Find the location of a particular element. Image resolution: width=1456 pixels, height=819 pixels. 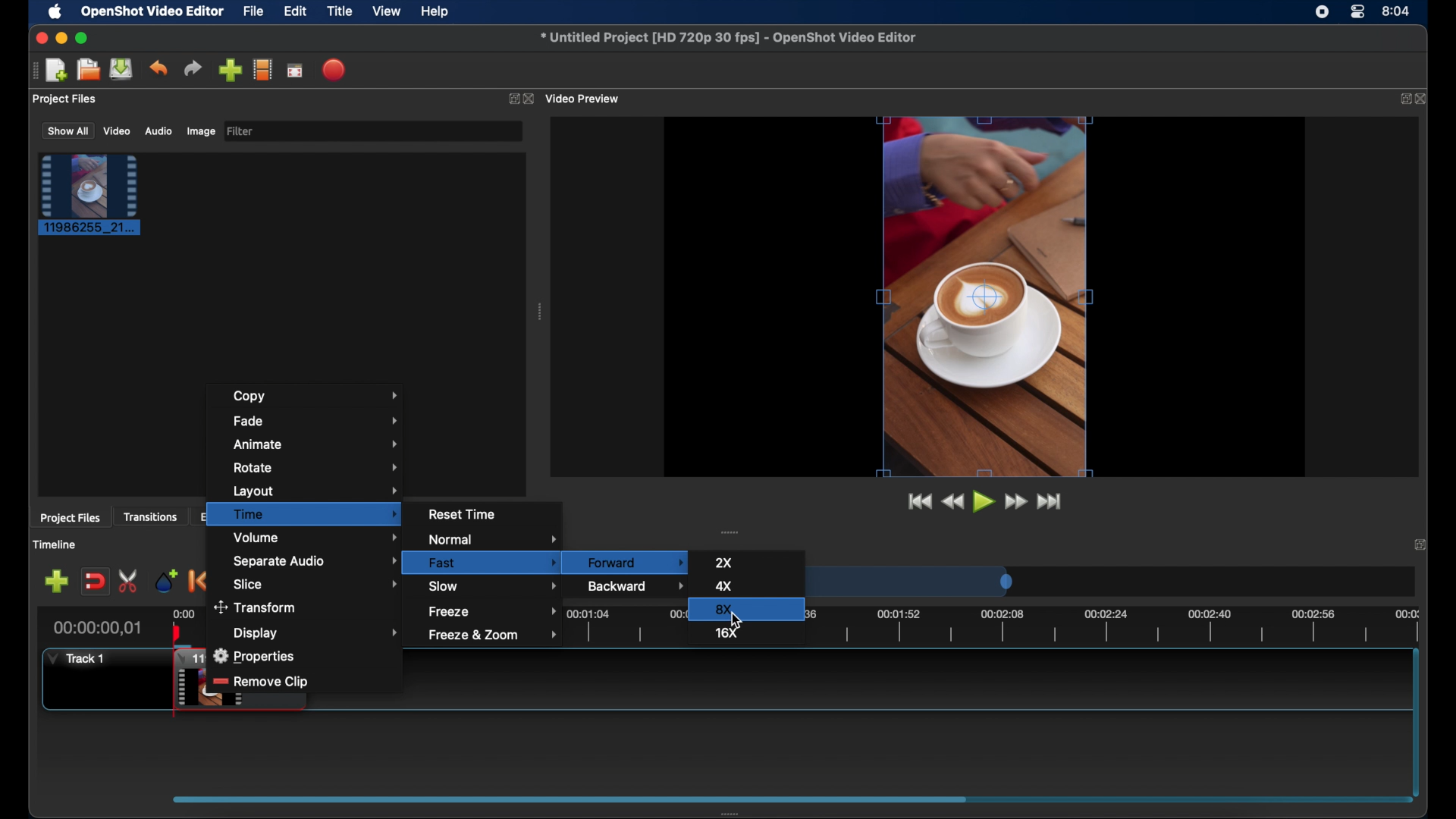

add track is located at coordinates (56, 581).